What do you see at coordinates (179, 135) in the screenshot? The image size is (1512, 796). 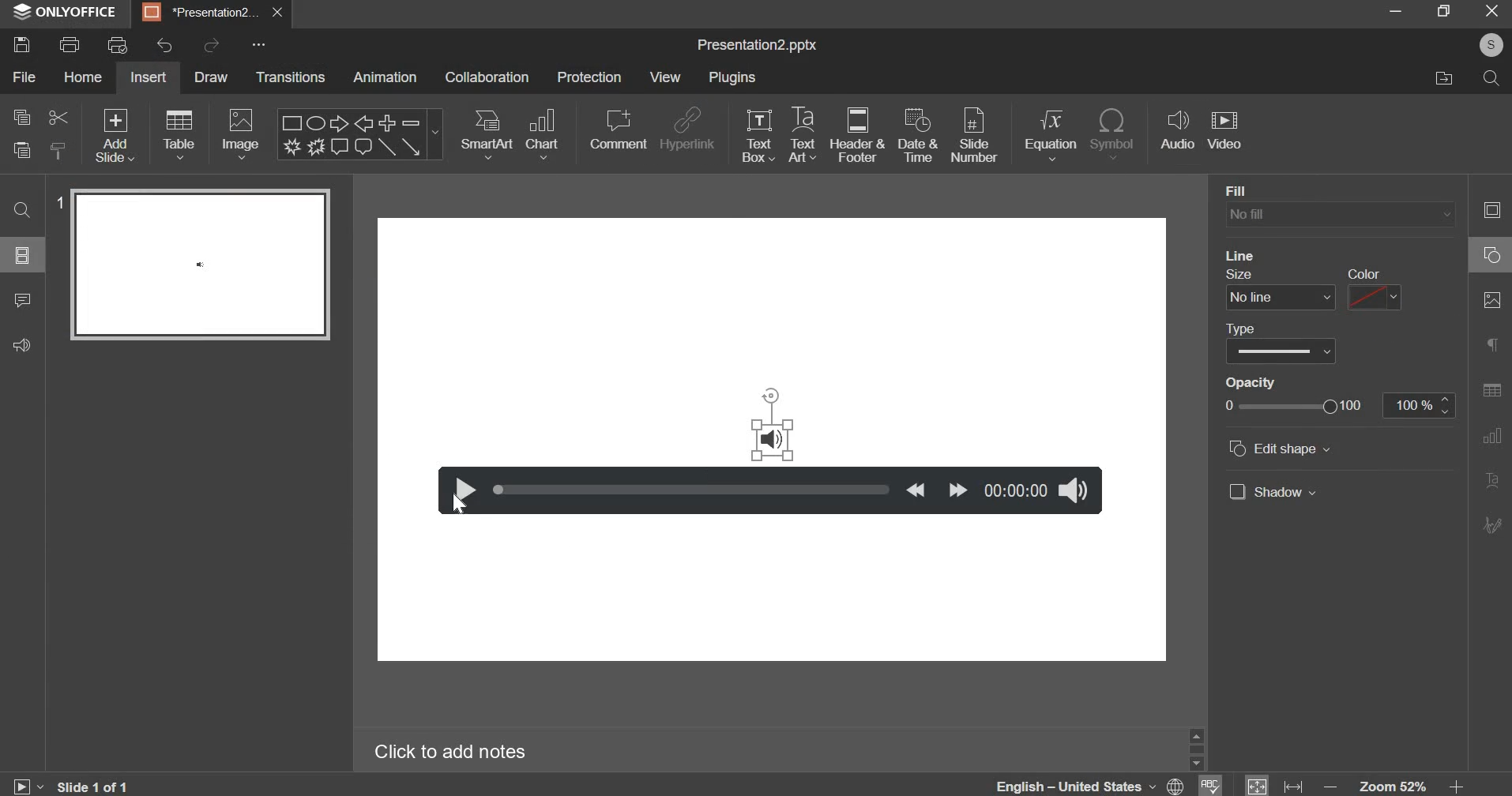 I see `table` at bounding box center [179, 135].